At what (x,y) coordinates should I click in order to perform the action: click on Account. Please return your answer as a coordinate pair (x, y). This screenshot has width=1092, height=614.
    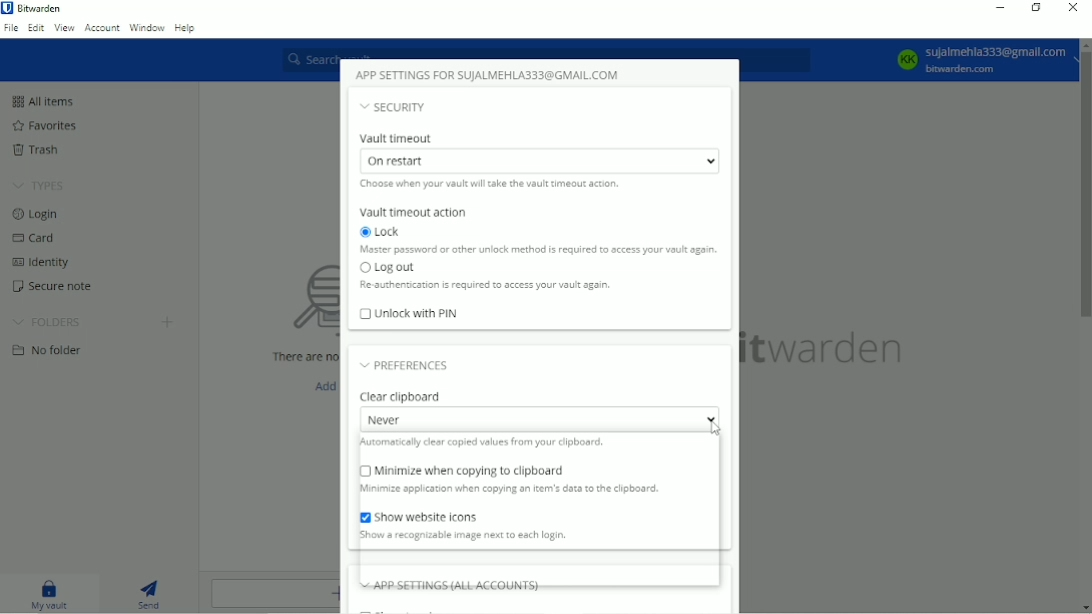
    Looking at the image, I should click on (103, 29).